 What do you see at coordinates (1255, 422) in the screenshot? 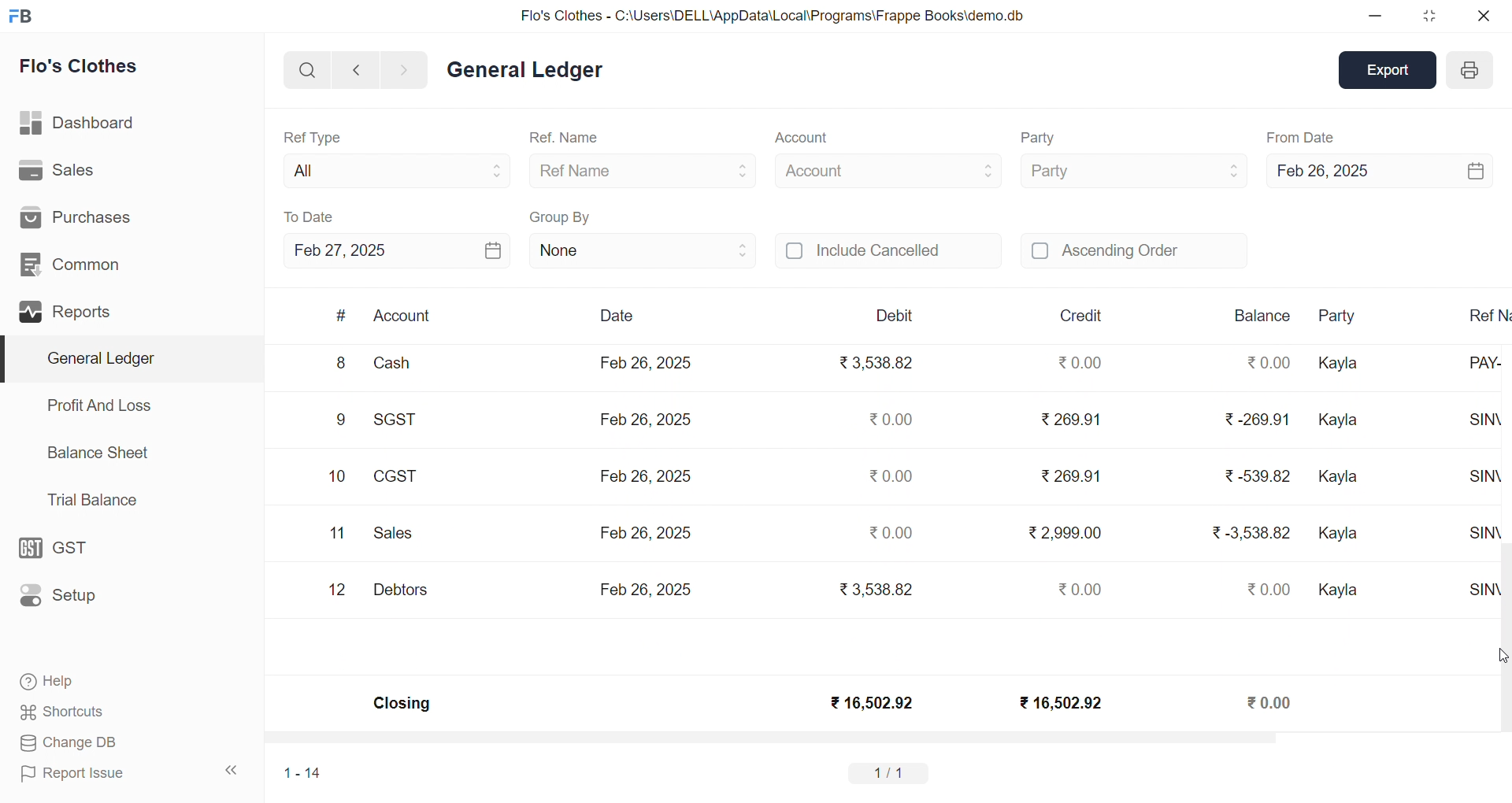
I see `₹ -261.91` at bounding box center [1255, 422].